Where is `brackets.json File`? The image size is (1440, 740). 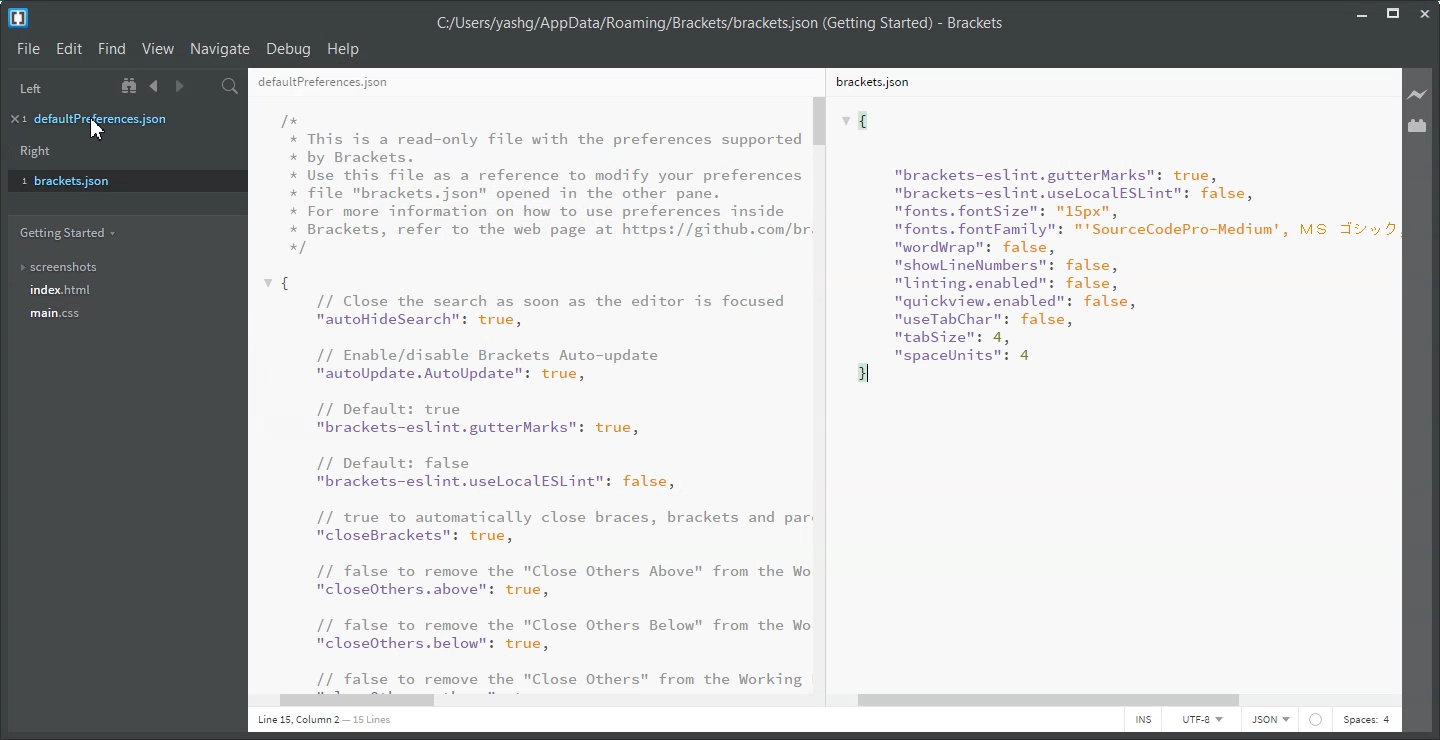 brackets.json File is located at coordinates (1103, 83).